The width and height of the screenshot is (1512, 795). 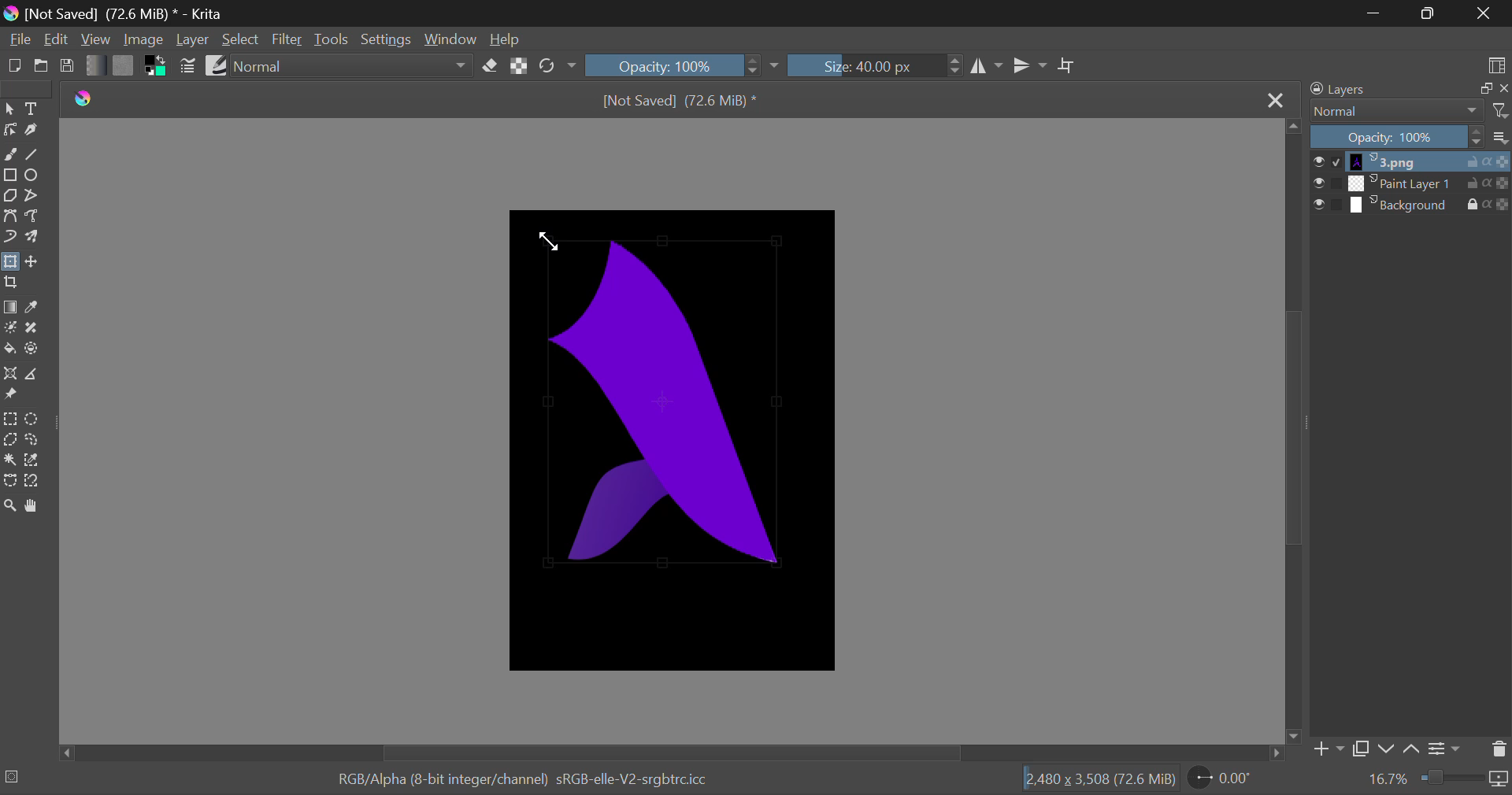 What do you see at coordinates (36, 309) in the screenshot?
I see `Eyedropper` at bounding box center [36, 309].